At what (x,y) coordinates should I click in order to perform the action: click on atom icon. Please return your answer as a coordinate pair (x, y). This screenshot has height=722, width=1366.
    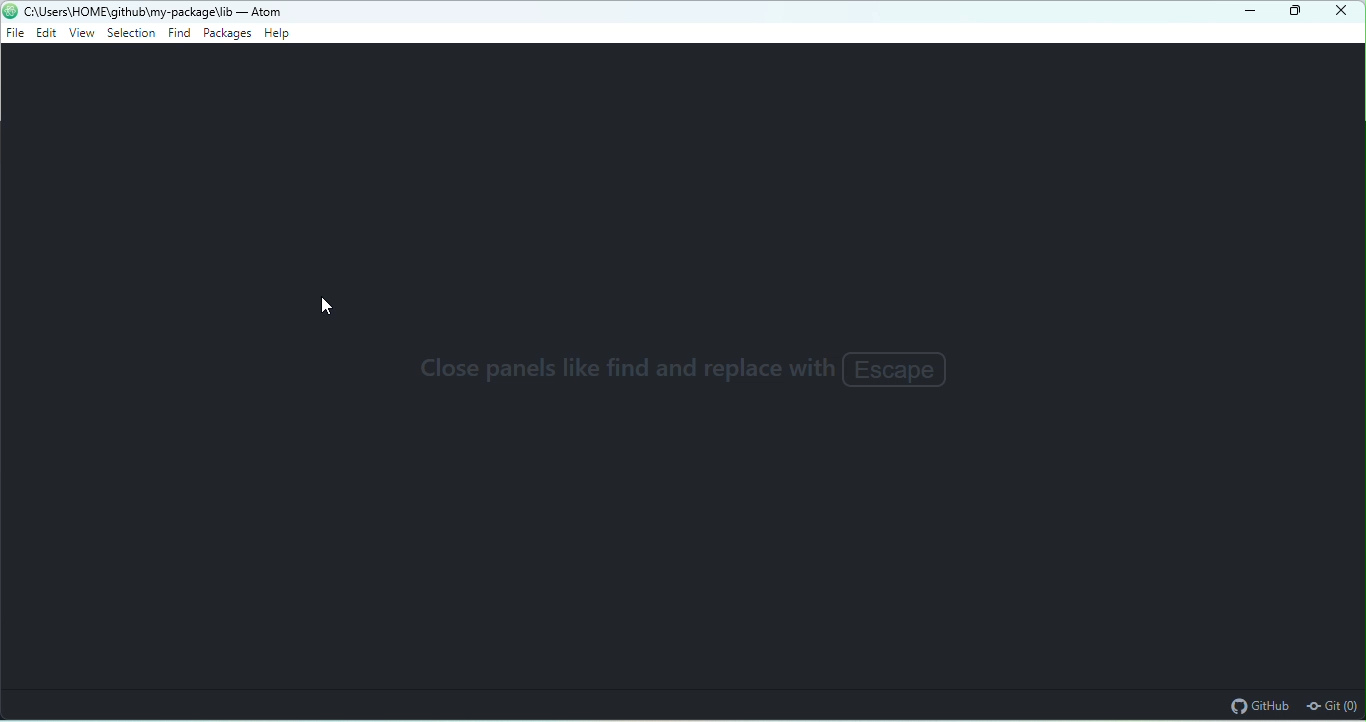
    Looking at the image, I should click on (10, 10).